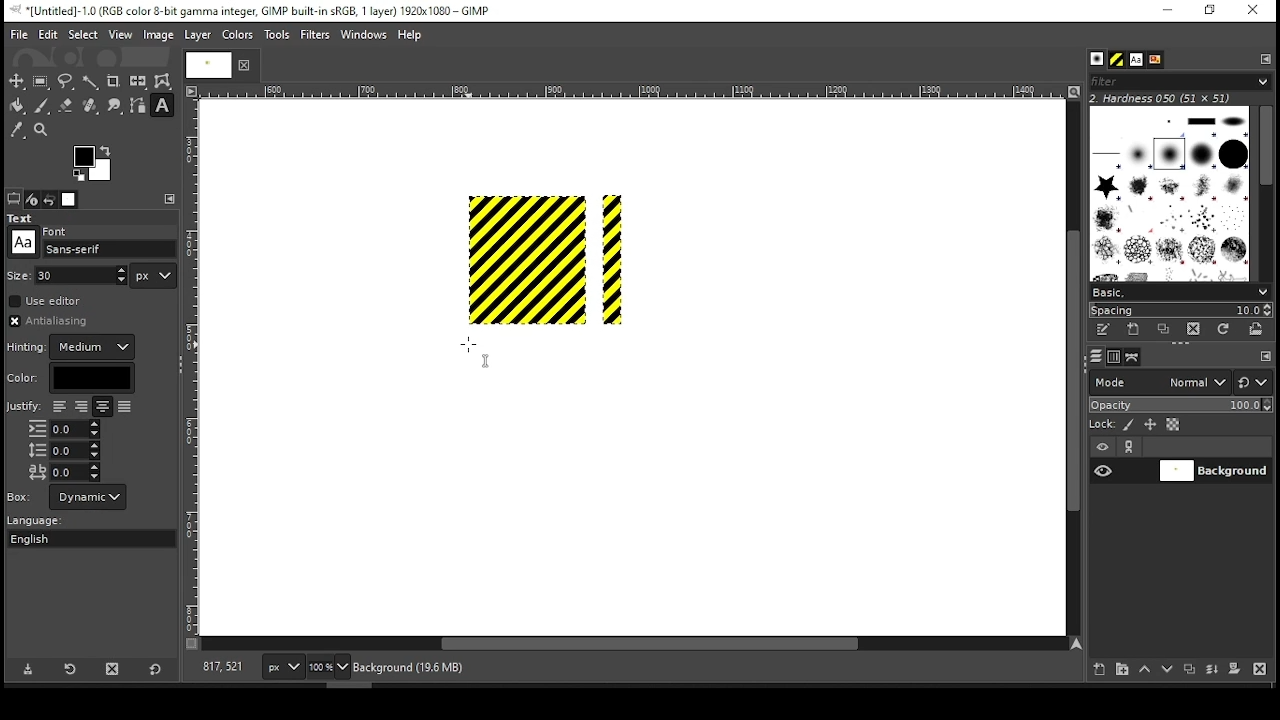 This screenshot has height=720, width=1280. What do you see at coordinates (57, 229) in the screenshot?
I see `` at bounding box center [57, 229].